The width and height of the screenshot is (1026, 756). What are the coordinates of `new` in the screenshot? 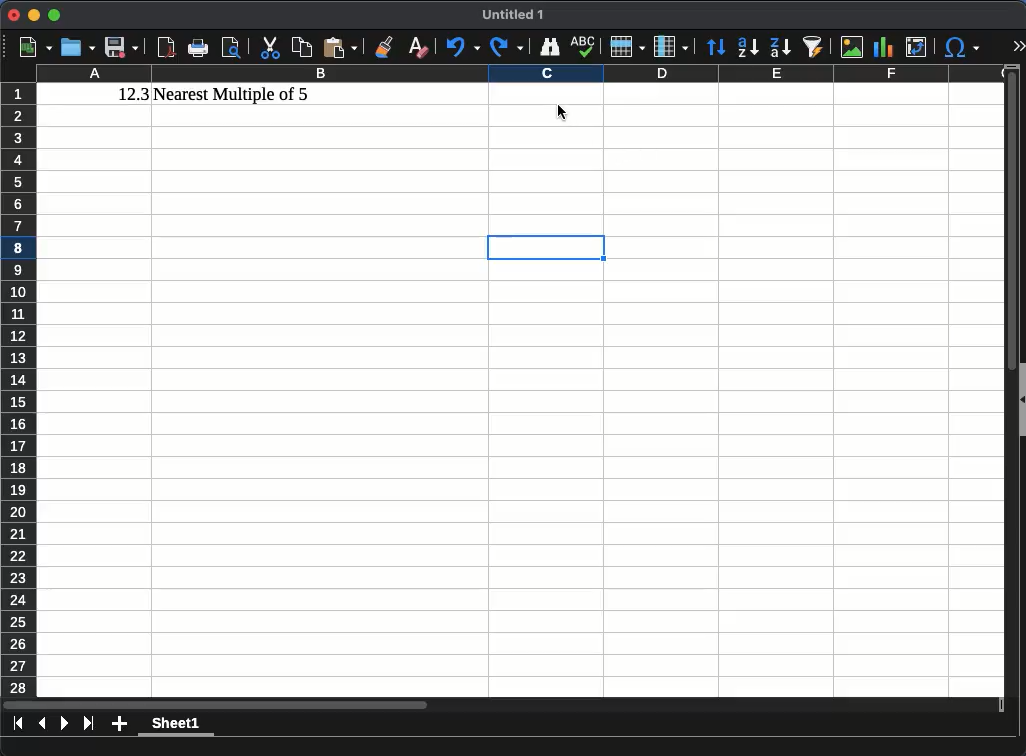 It's located at (34, 47).